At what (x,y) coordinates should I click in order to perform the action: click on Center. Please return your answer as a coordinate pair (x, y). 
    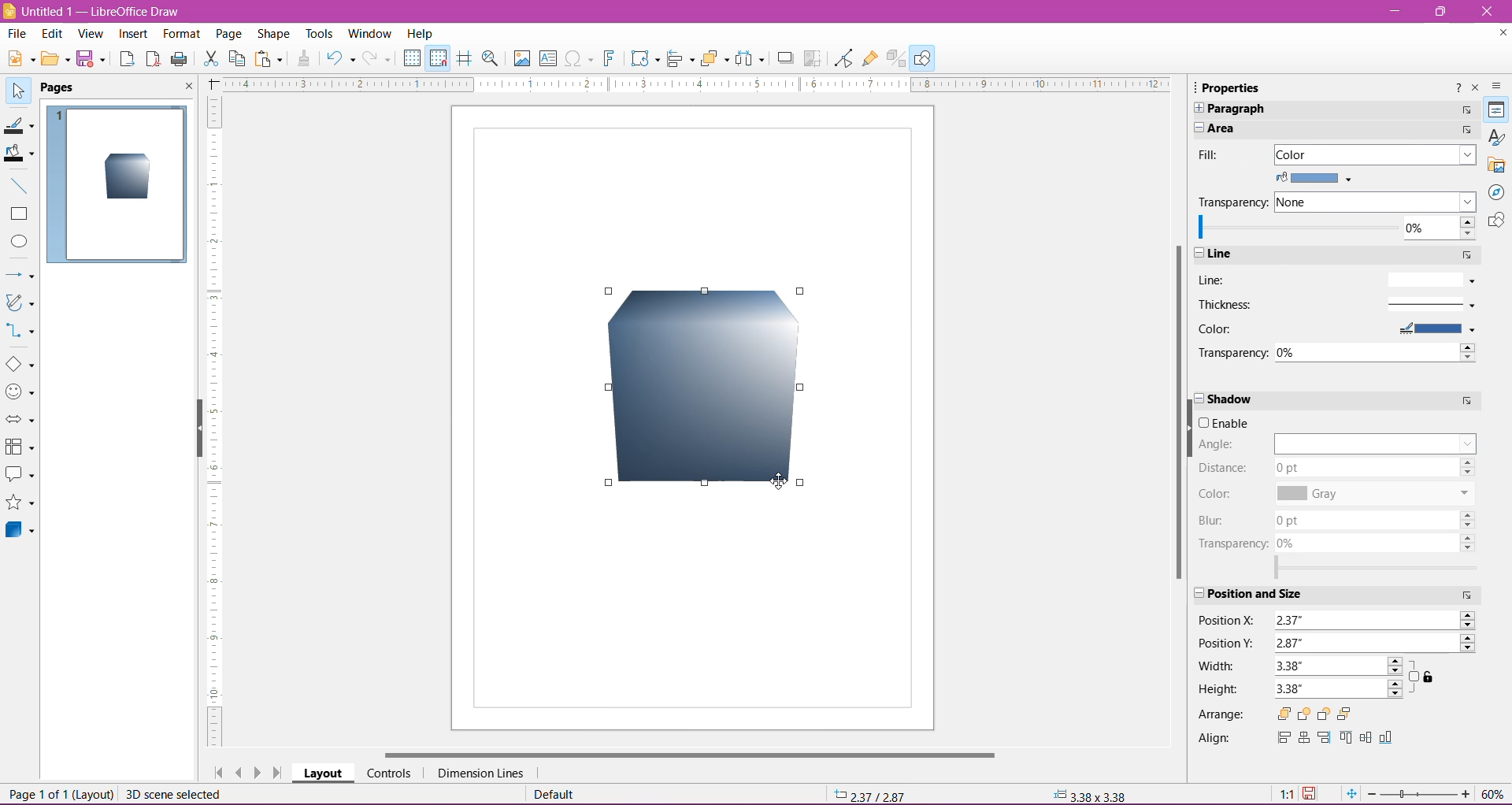
    Looking at the image, I should click on (1366, 738).